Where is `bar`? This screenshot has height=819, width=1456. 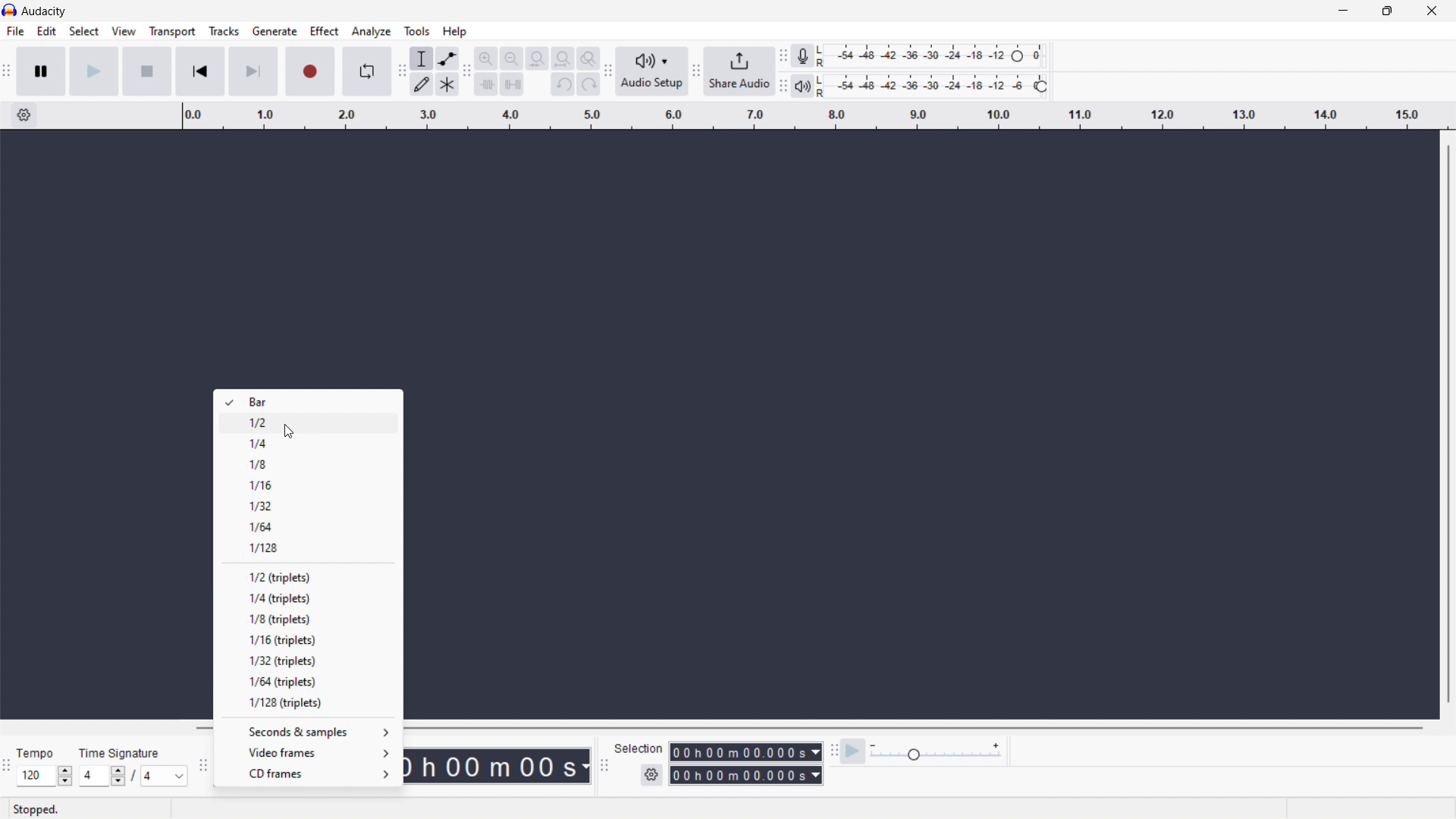 bar is located at coordinates (308, 401).